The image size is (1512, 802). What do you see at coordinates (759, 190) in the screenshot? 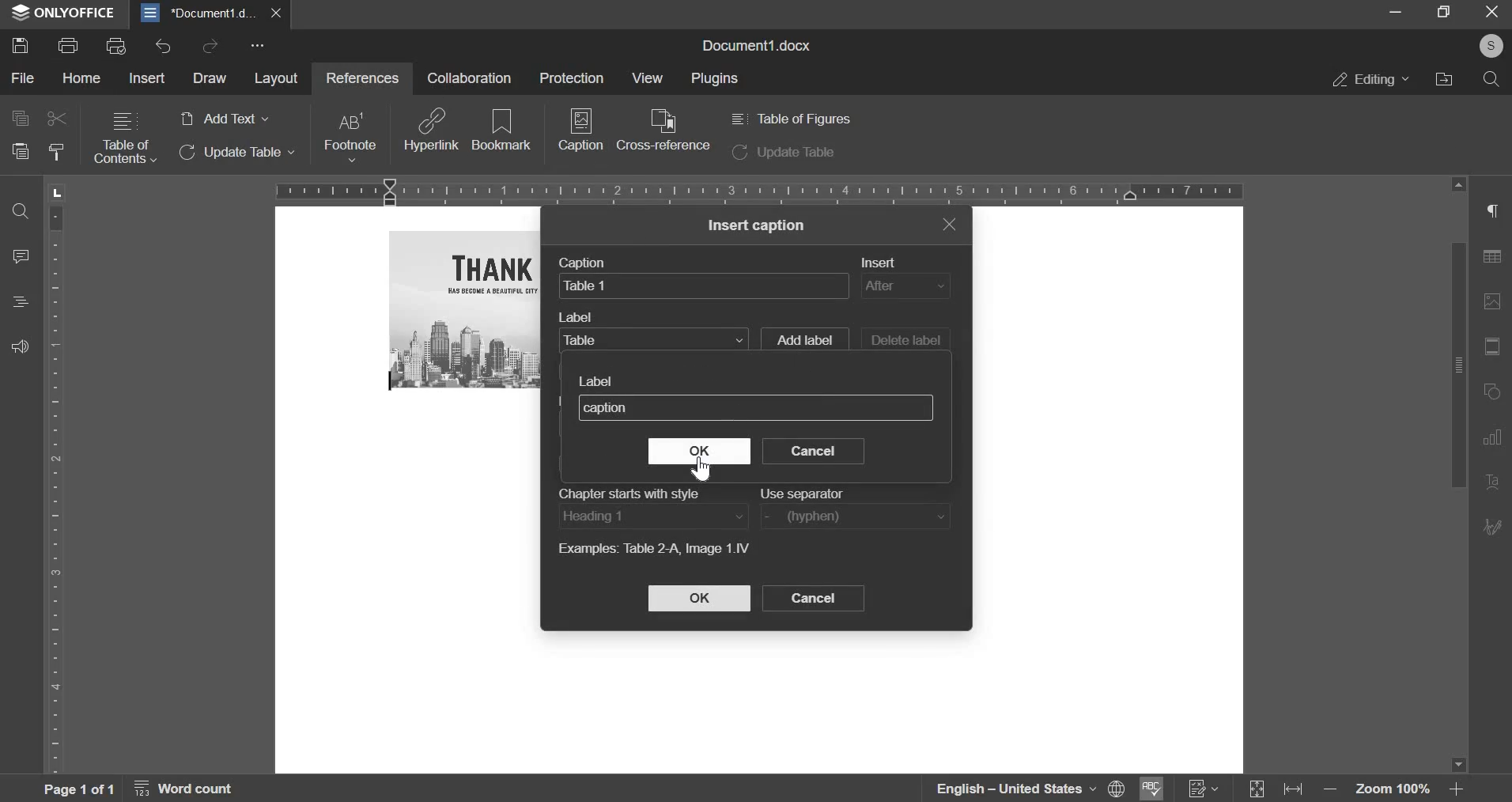
I see `horizontal scale` at bounding box center [759, 190].